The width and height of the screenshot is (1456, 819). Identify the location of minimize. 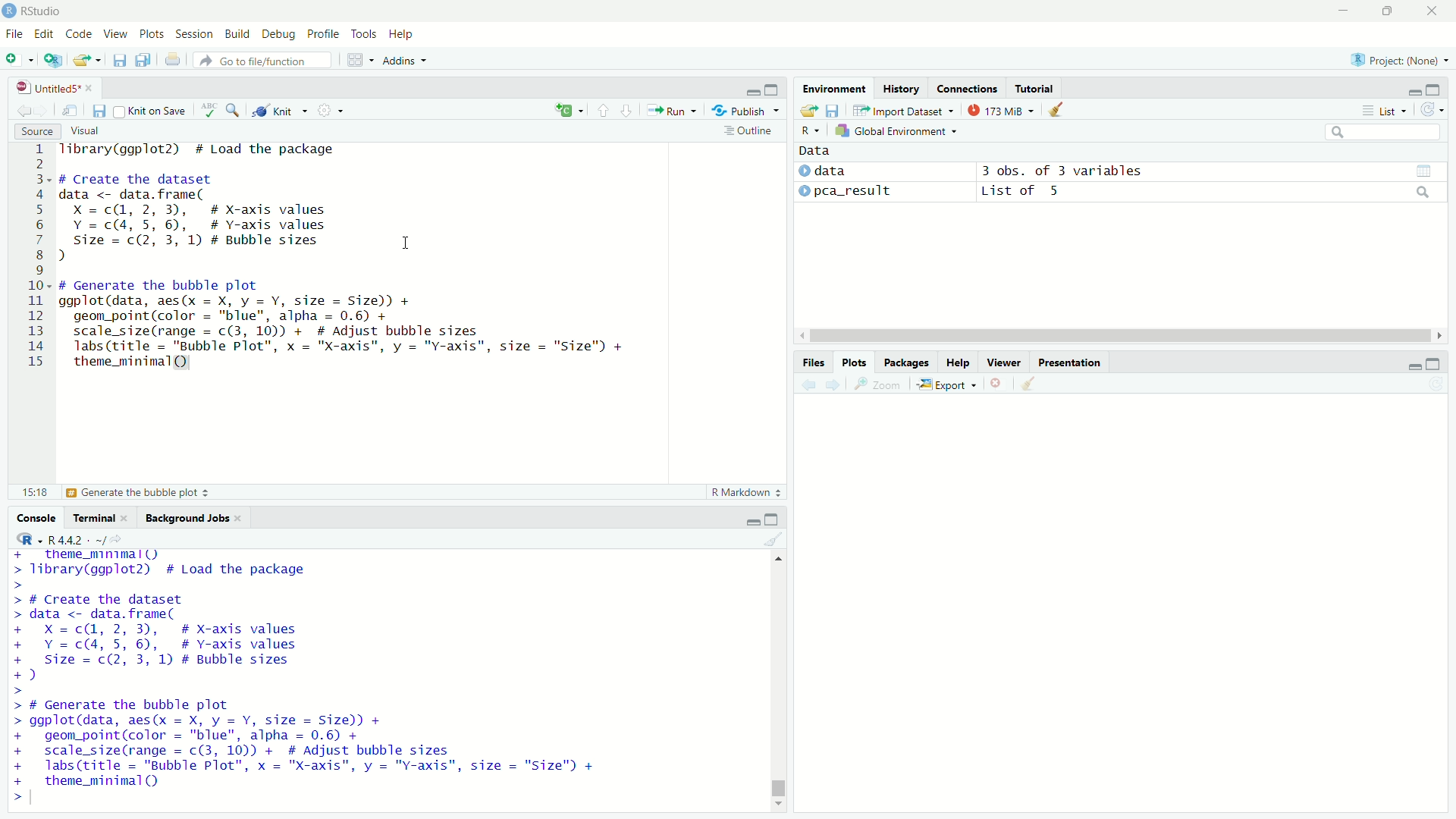
(1416, 88).